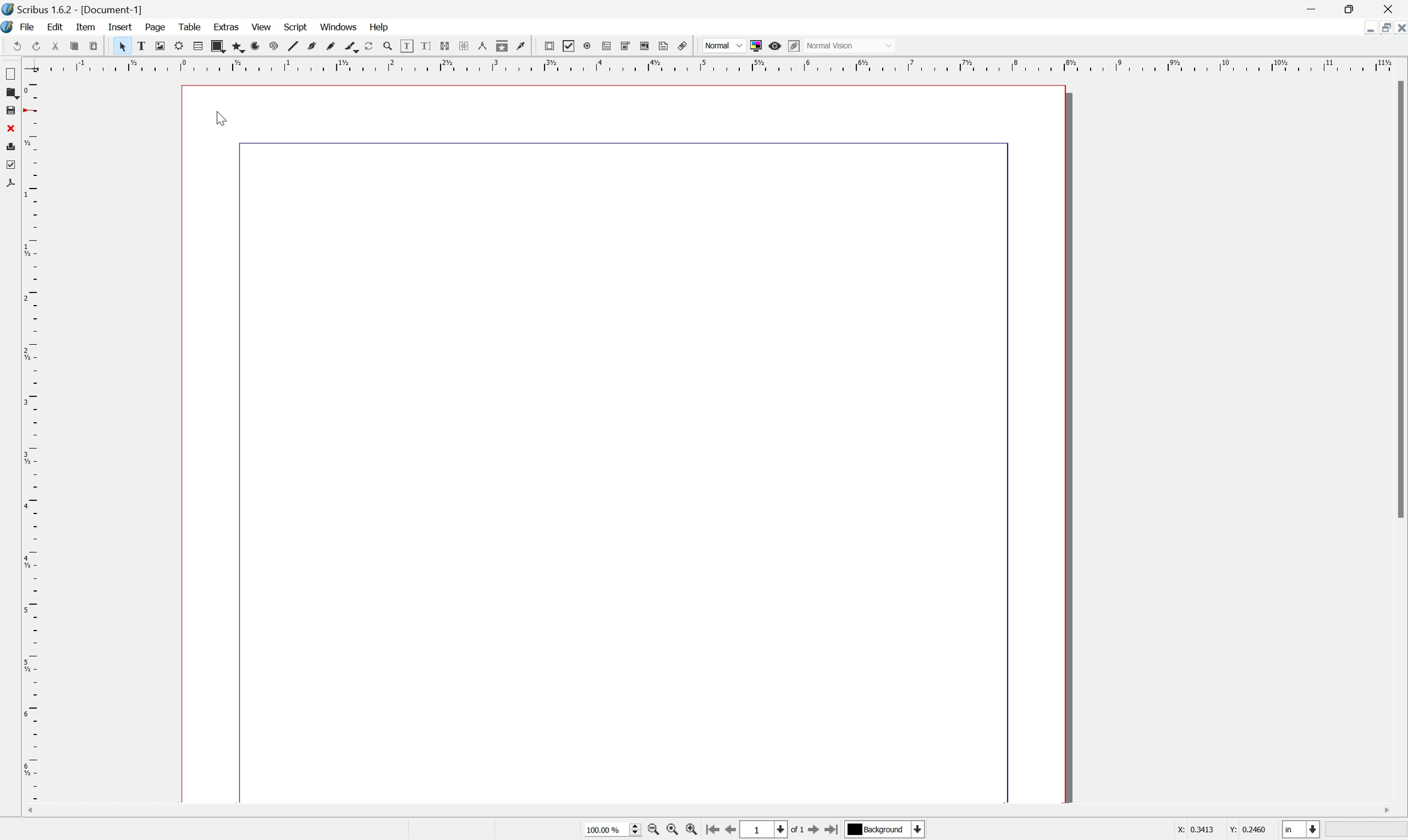 The height and width of the screenshot is (840, 1408). I want to click on save, so click(54, 45).